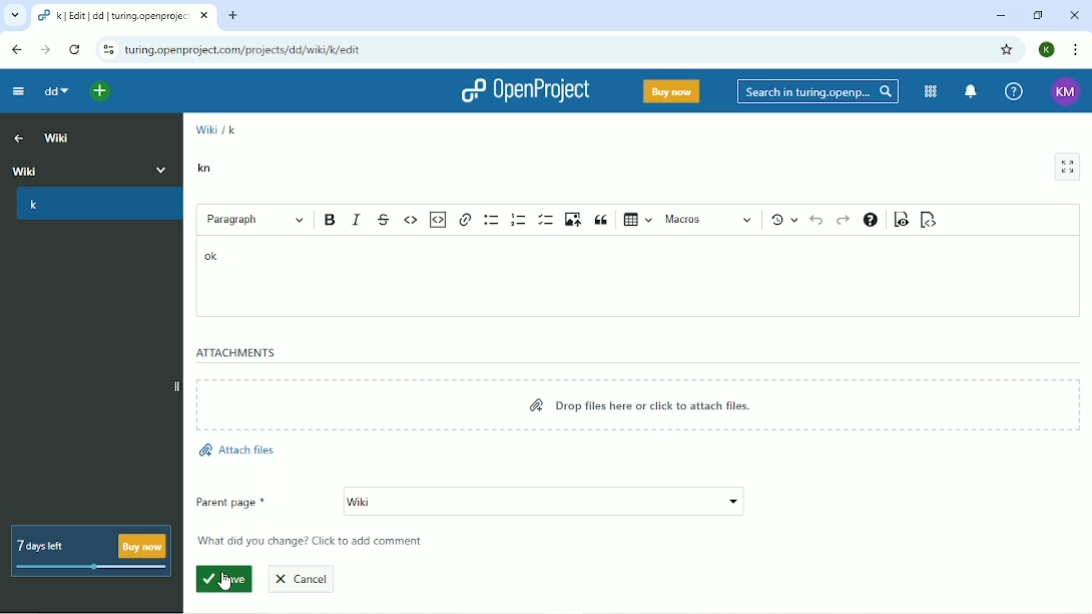 The image size is (1092, 614). What do you see at coordinates (330, 221) in the screenshot?
I see `Bold` at bounding box center [330, 221].